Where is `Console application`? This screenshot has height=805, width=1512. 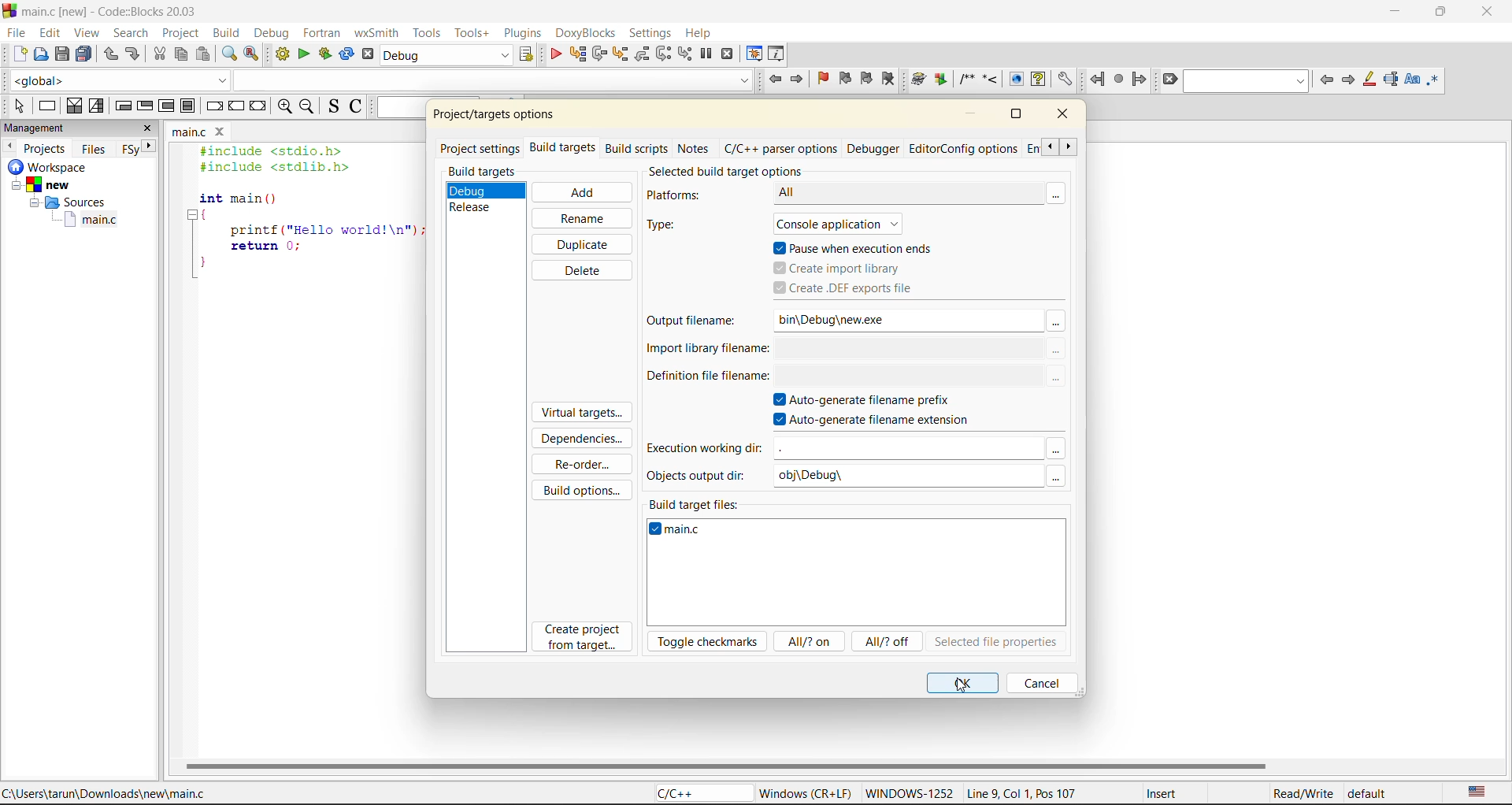 Console application is located at coordinates (854, 222).